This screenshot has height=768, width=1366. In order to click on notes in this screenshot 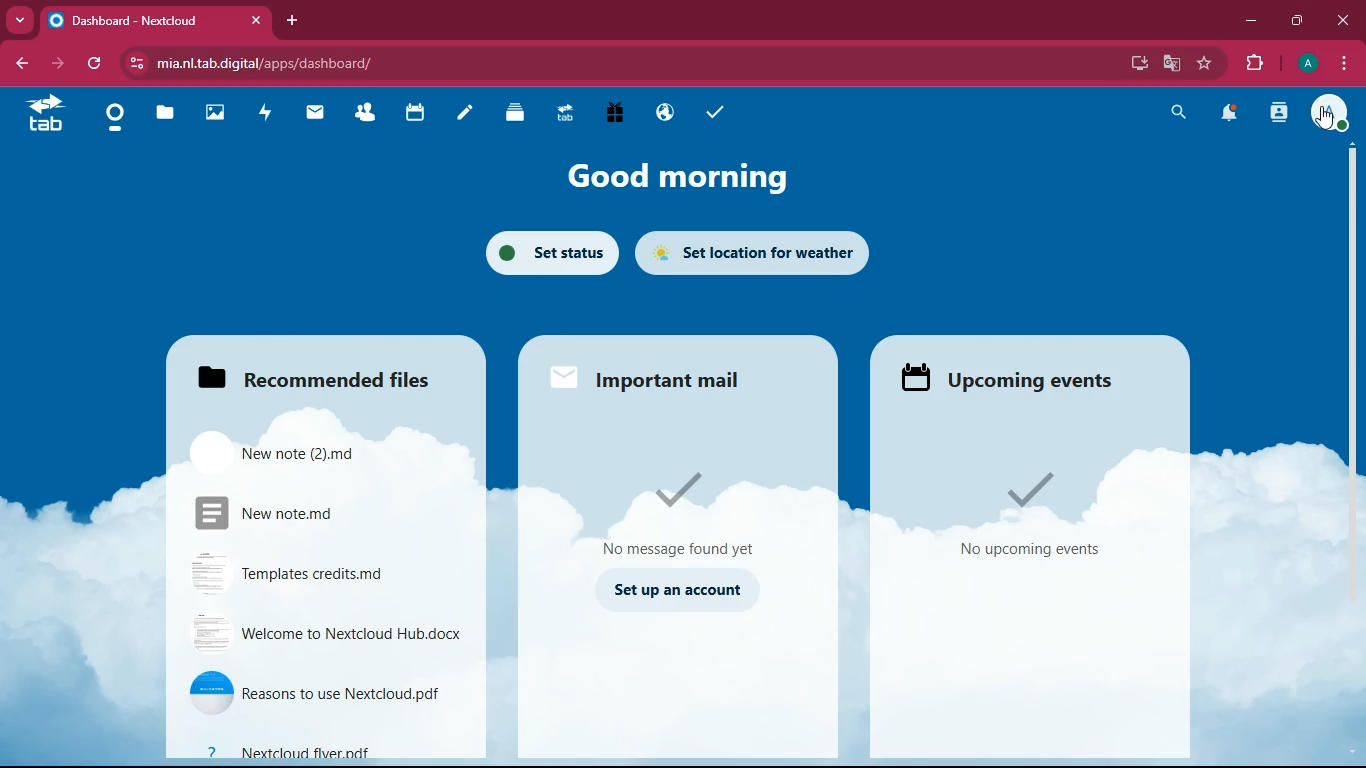, I will do `click(461, 115)`.